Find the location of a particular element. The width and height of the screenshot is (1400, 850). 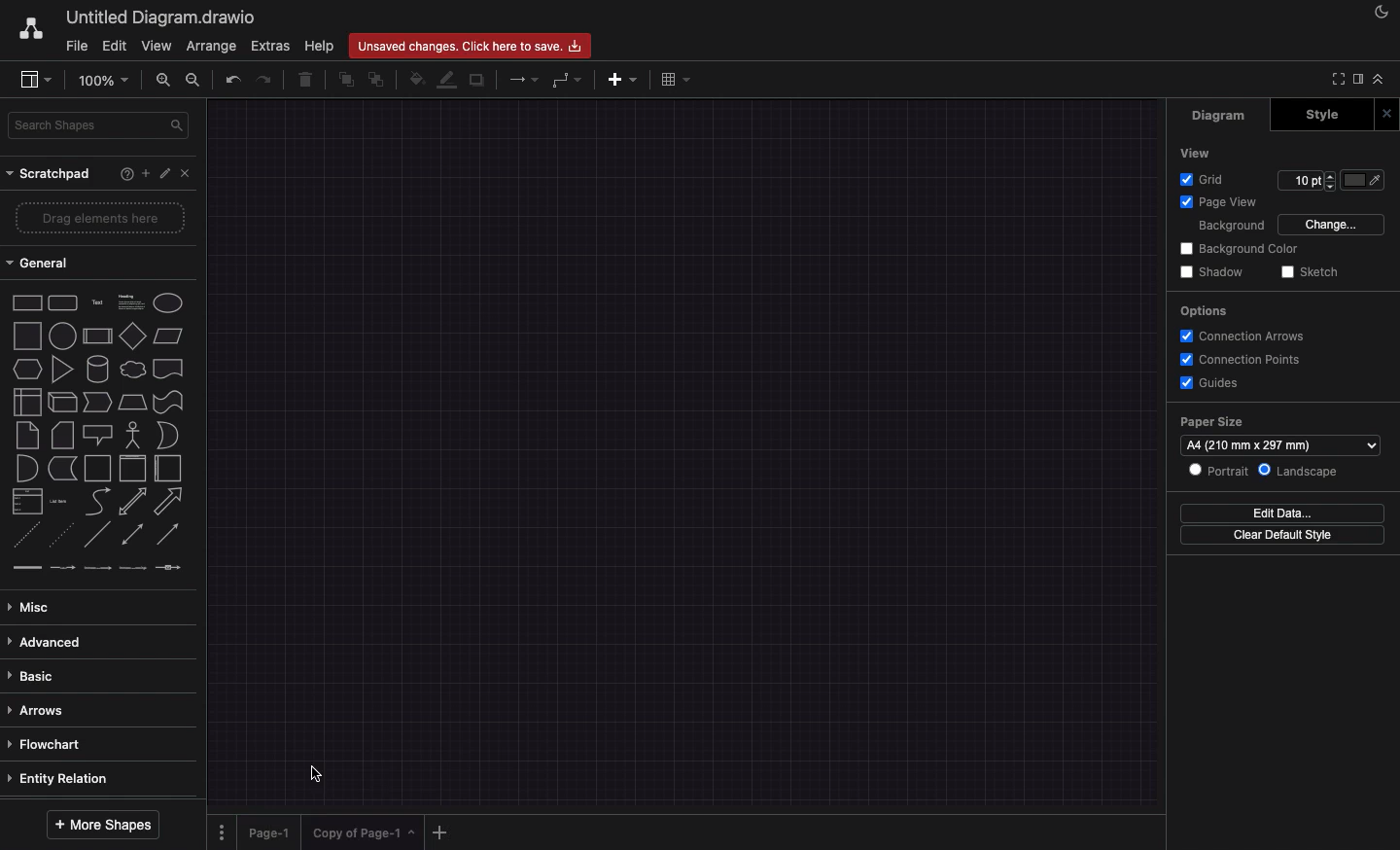

basic is located at coordinates (44, 675).